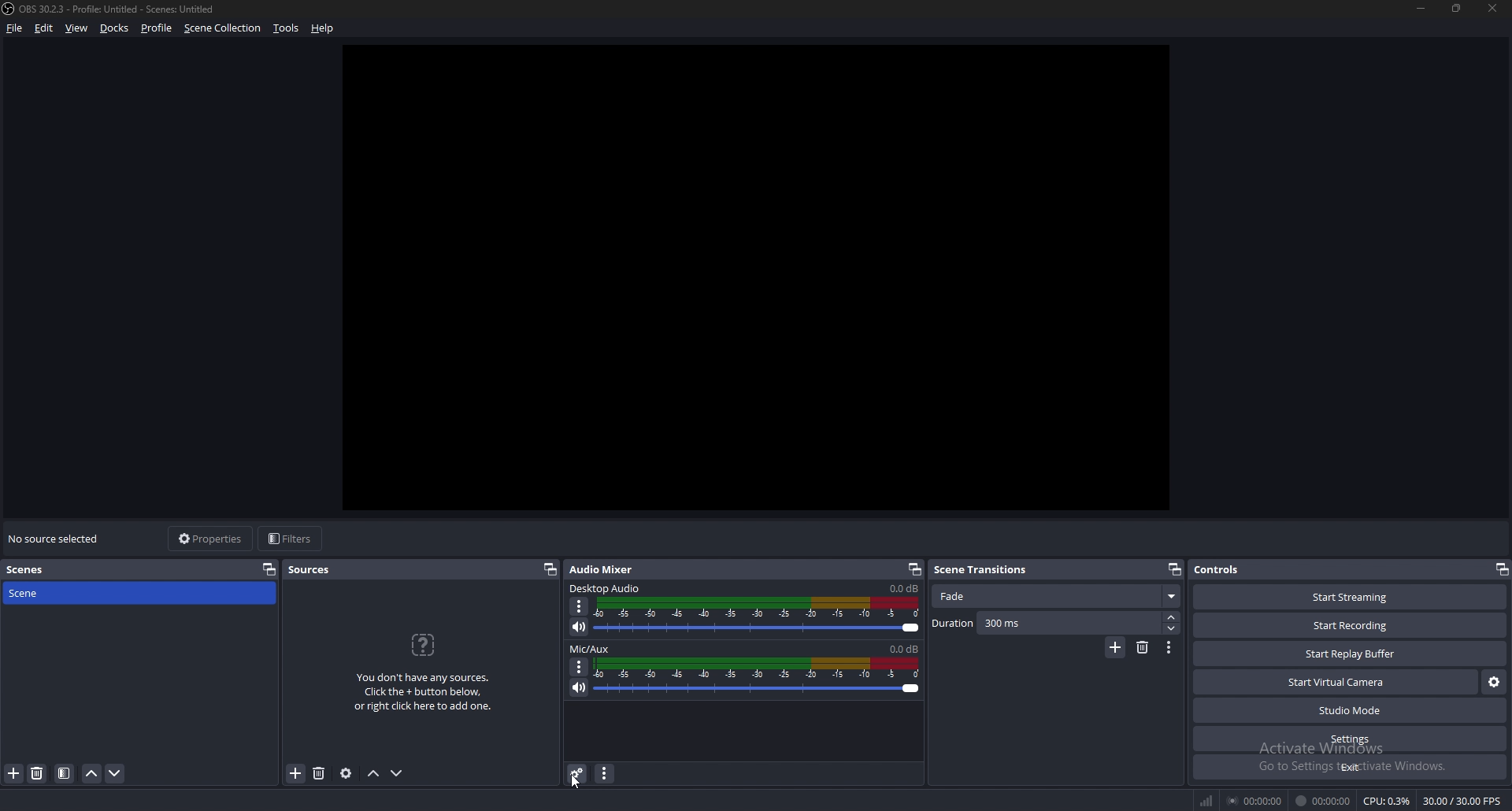 This screenshot has height=811, width=1512. I want to click on mic/aux, so click(591, 648).